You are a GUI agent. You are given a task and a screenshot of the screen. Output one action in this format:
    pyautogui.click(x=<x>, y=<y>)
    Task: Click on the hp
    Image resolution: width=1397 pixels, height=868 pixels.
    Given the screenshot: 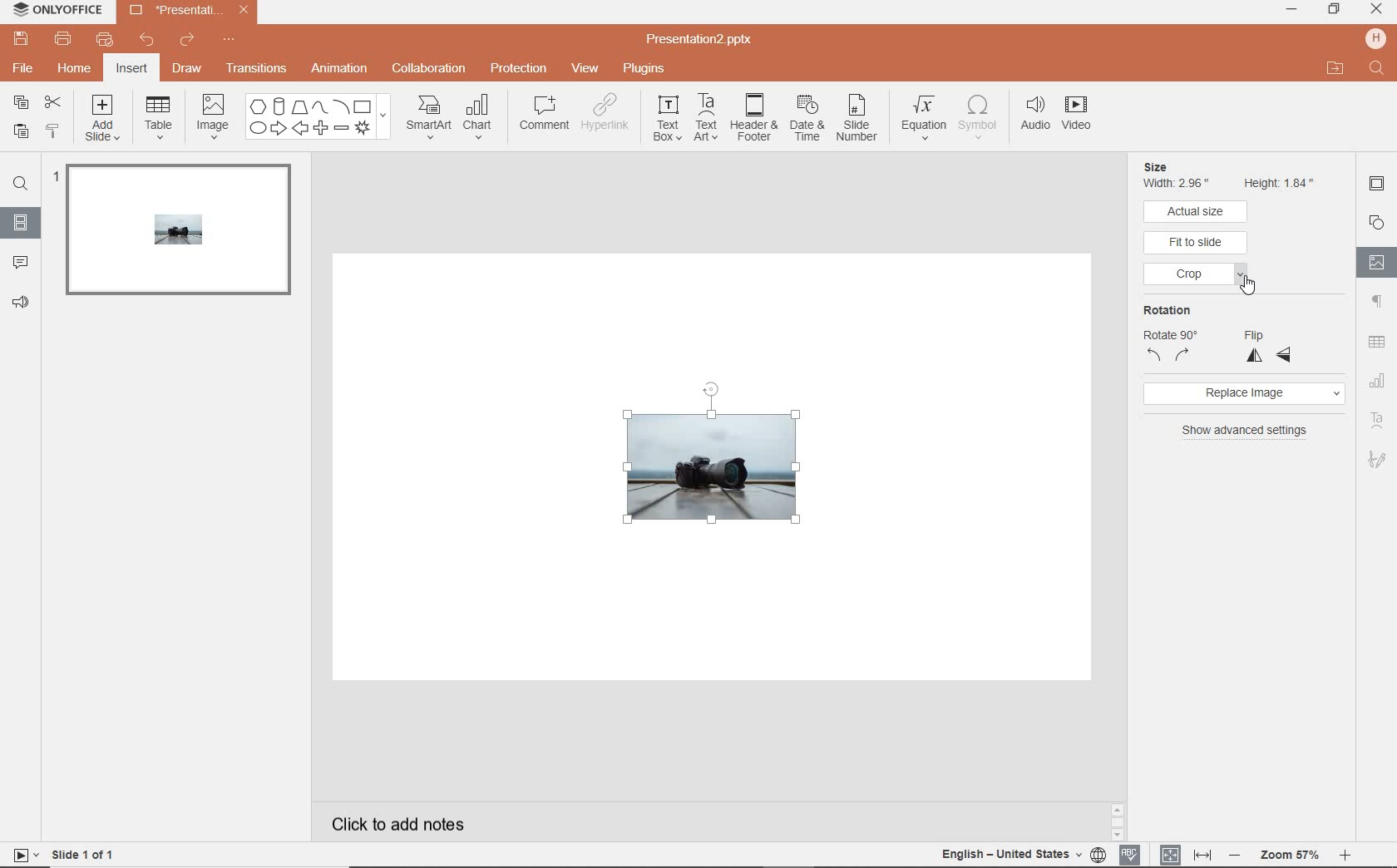 What is the action you would take?
    pyautogui.click(x=1375, y=37)
    